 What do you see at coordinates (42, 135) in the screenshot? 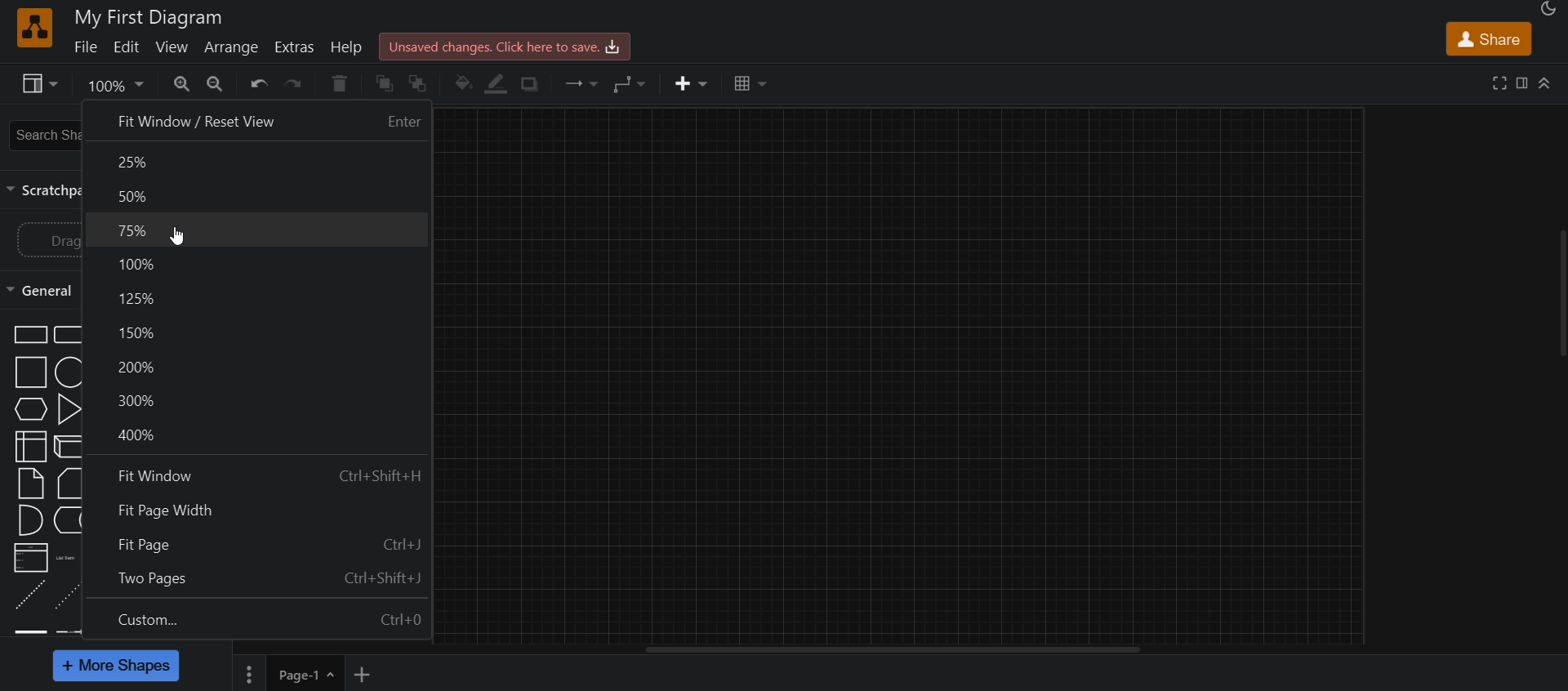
I see `search shapes` at bounding box center [42, 135].